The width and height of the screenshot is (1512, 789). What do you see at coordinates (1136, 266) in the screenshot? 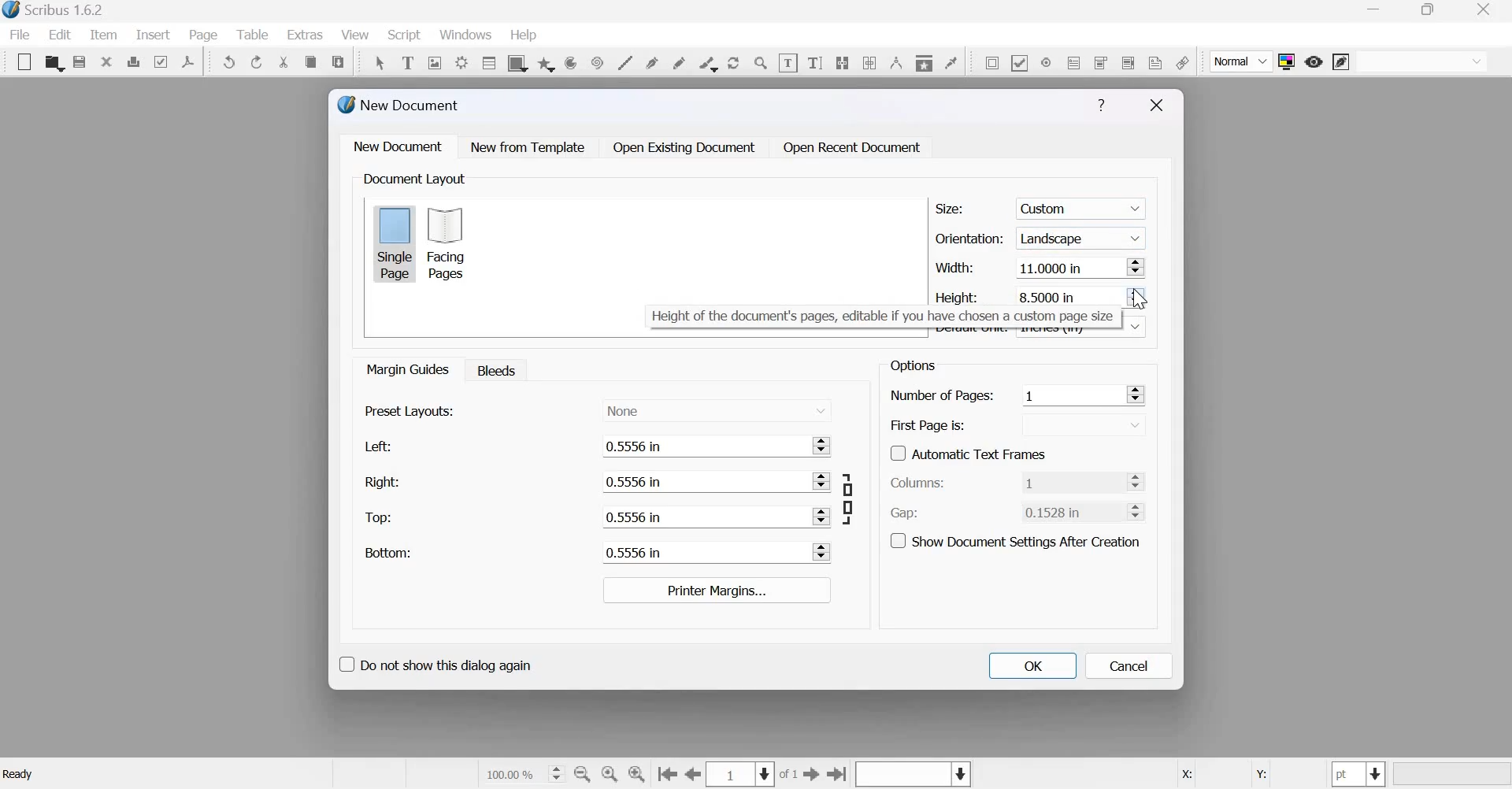
I see `Increase and Decrease` at bounding box center [1136, 266].